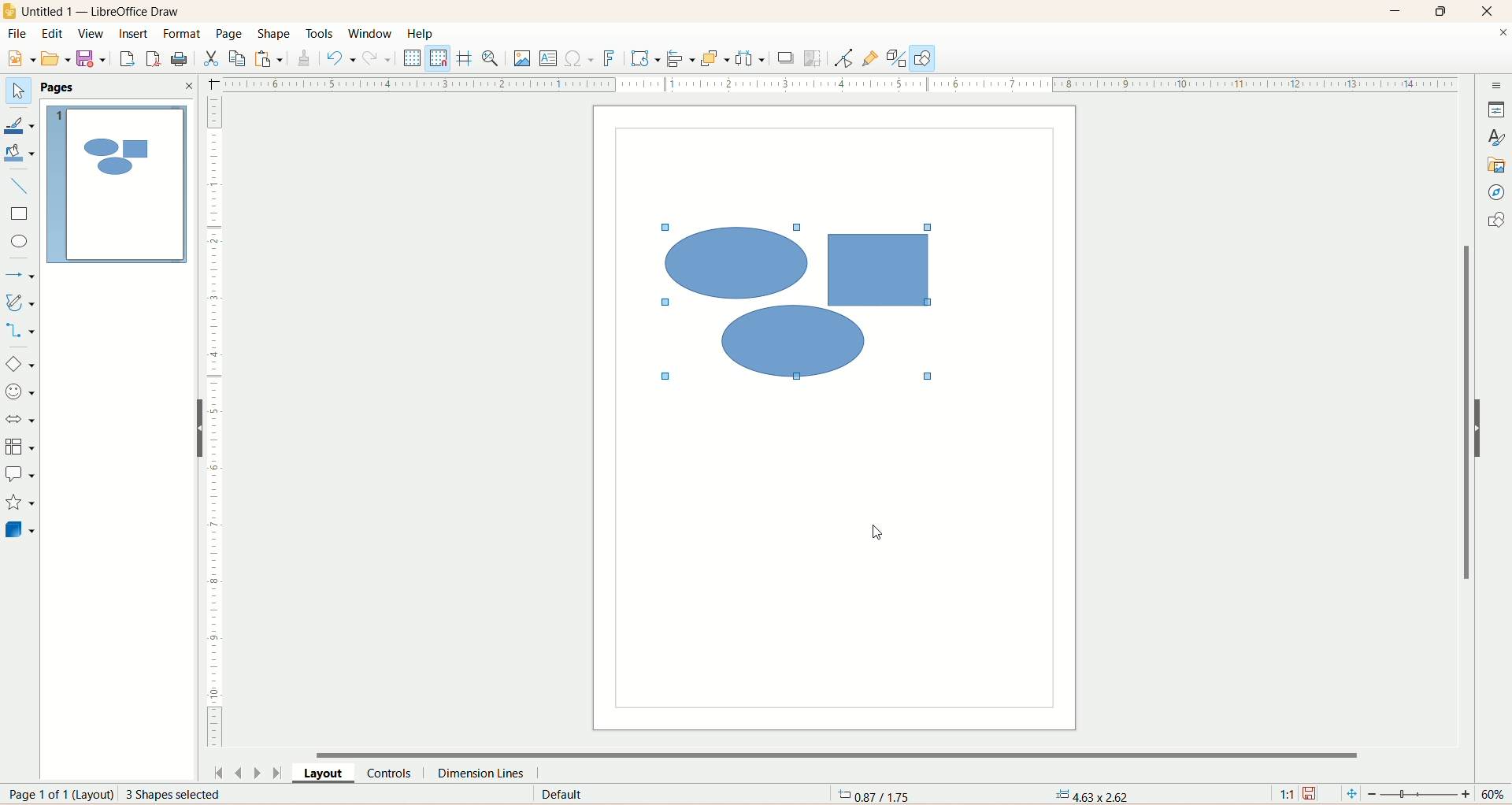  I want to click on ungrouped, so click(801, 302).